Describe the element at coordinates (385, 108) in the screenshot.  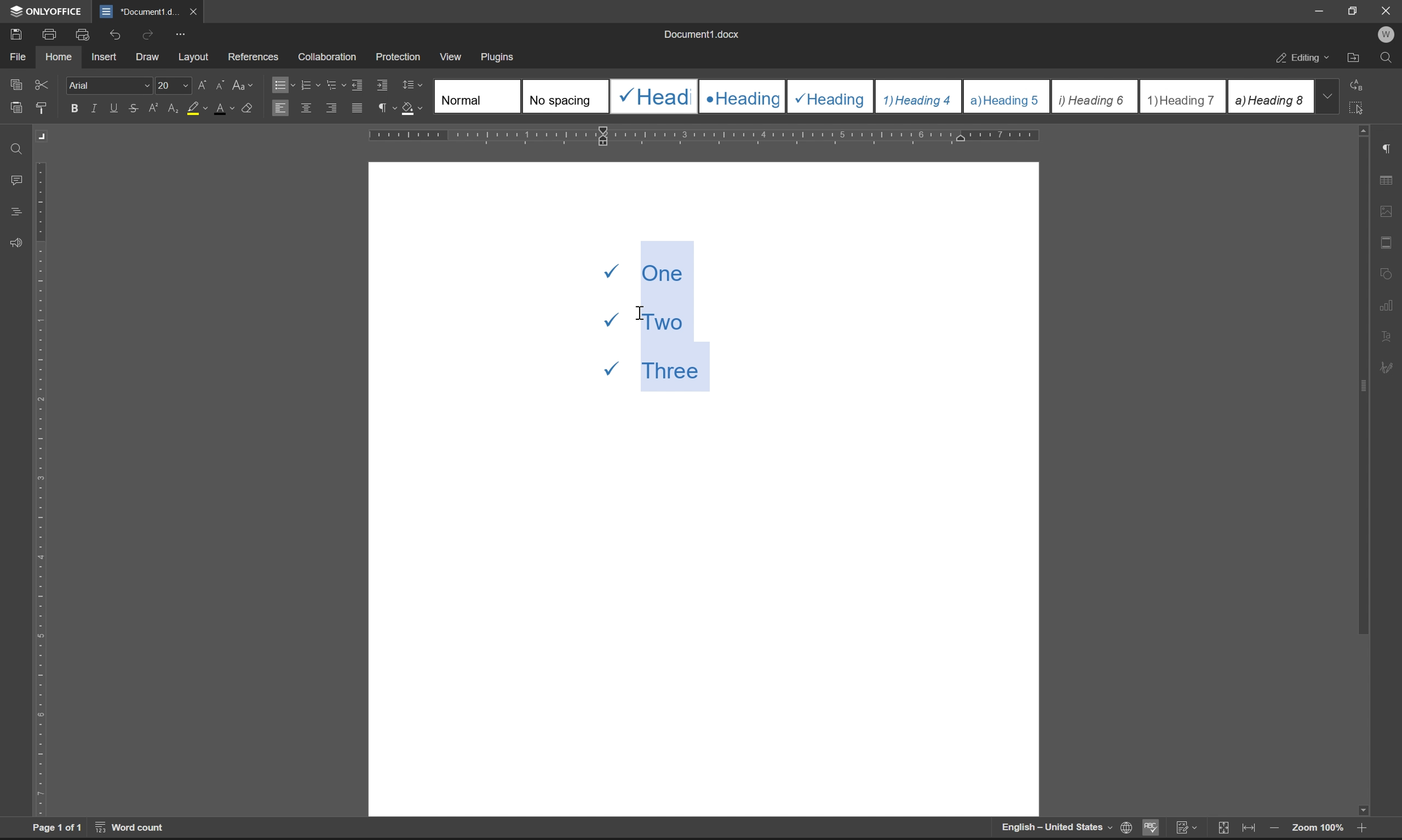
I see `paragraph` at that location.